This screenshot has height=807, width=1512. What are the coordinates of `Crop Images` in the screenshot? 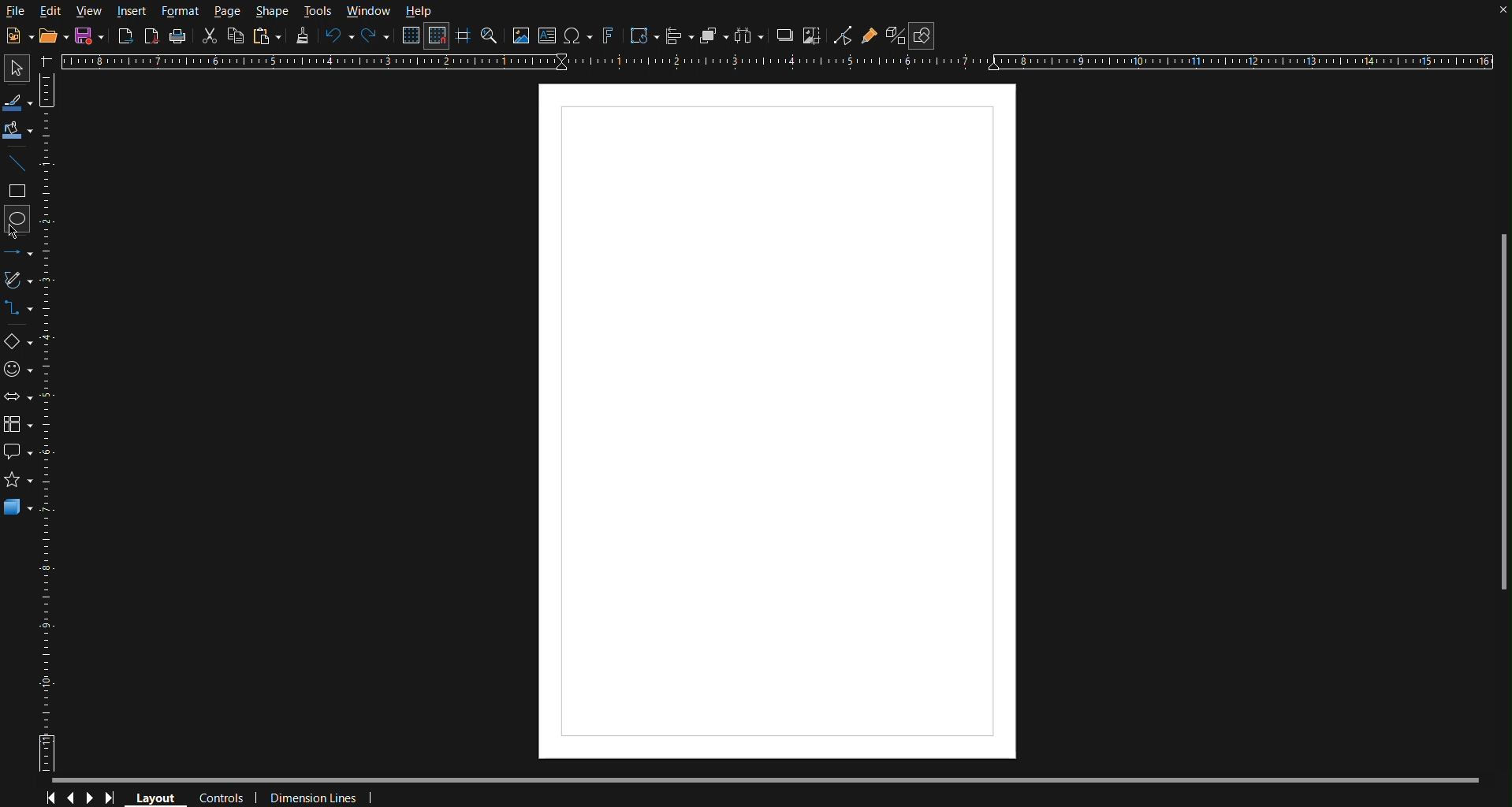 It's located at (814, 36).